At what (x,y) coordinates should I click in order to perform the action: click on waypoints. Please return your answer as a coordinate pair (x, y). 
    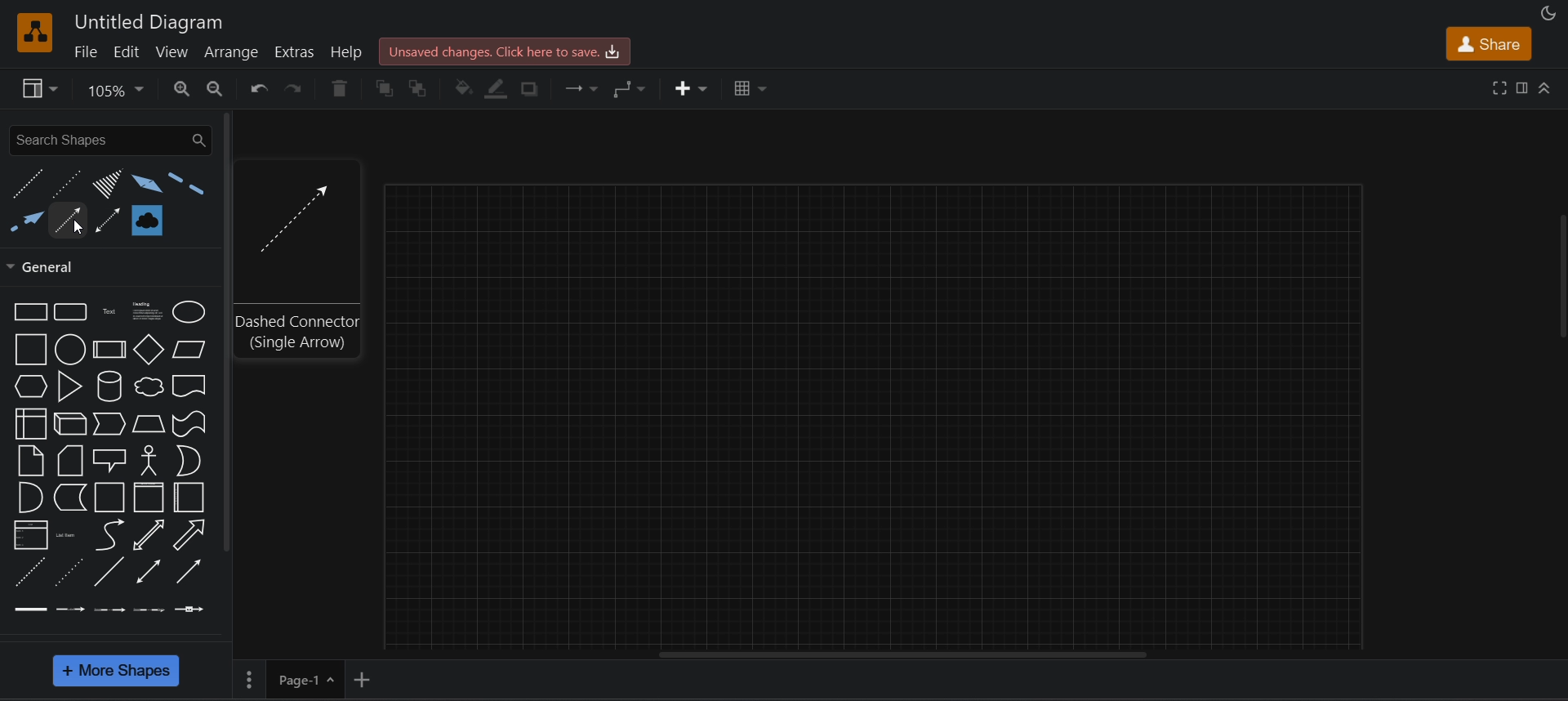
    Looking at the image, I should click on (633, 89).